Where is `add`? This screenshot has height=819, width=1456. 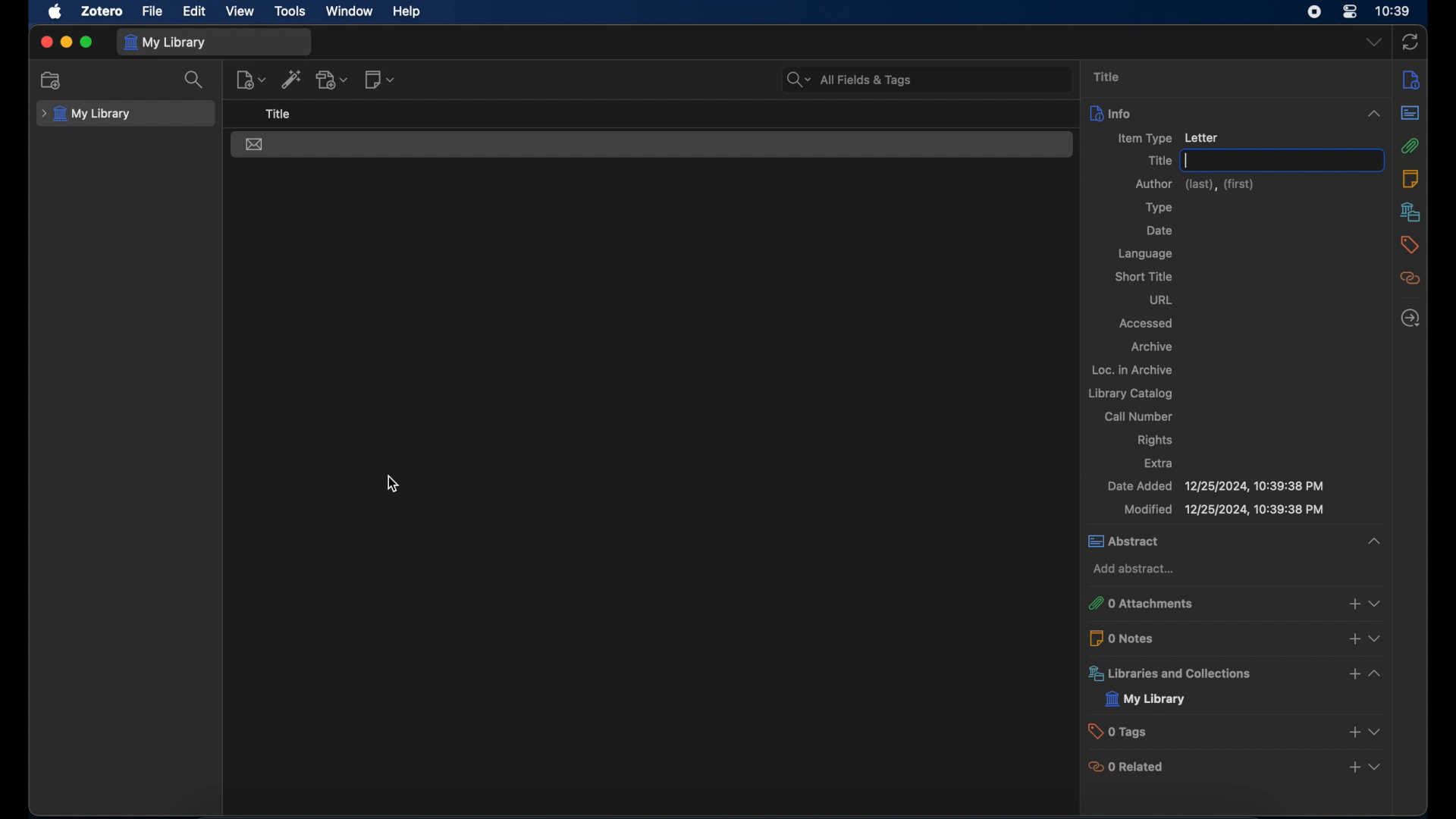 add is located at coordinates (1351, 639).